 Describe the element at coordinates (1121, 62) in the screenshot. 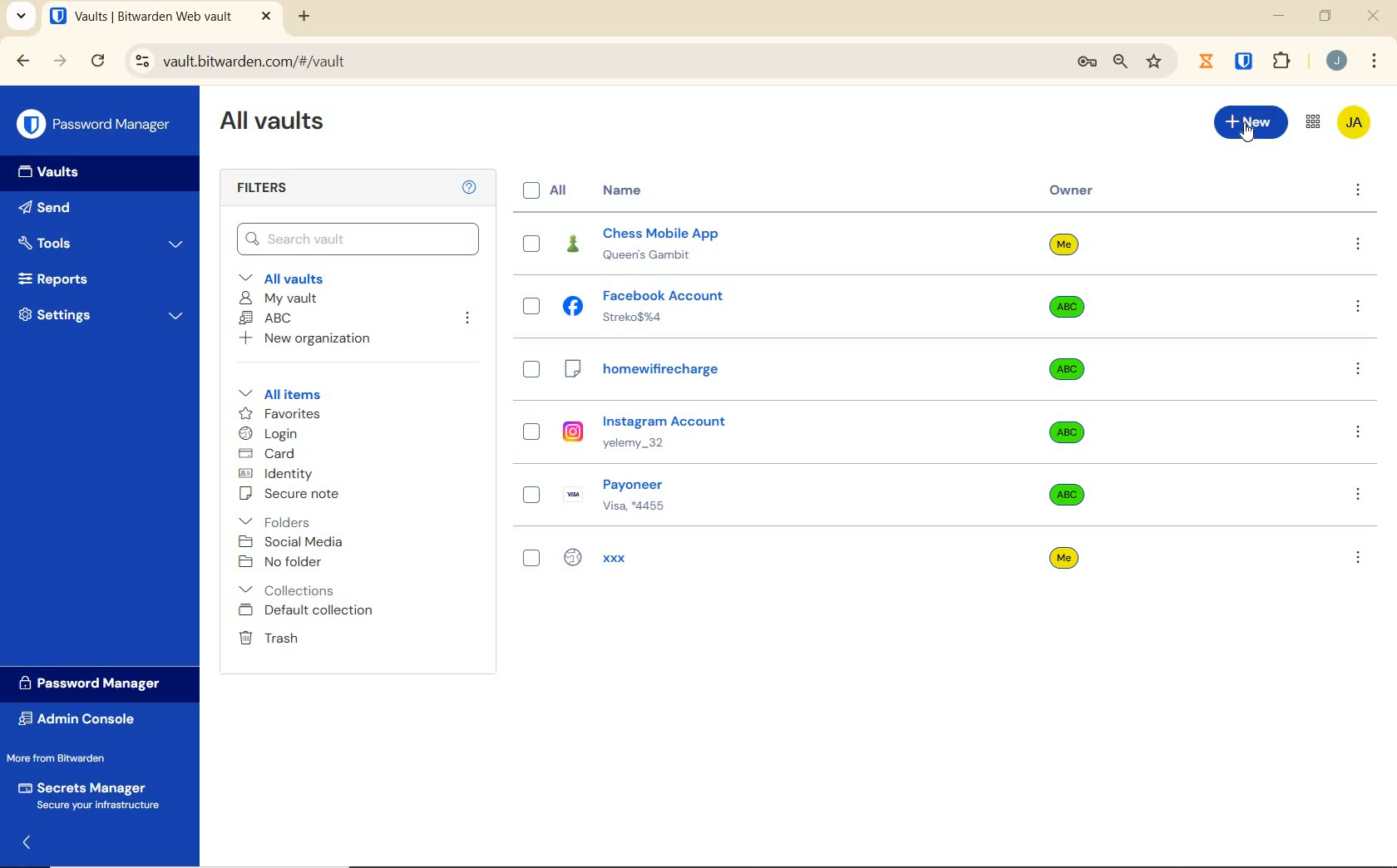

I see `zoom` at that location.